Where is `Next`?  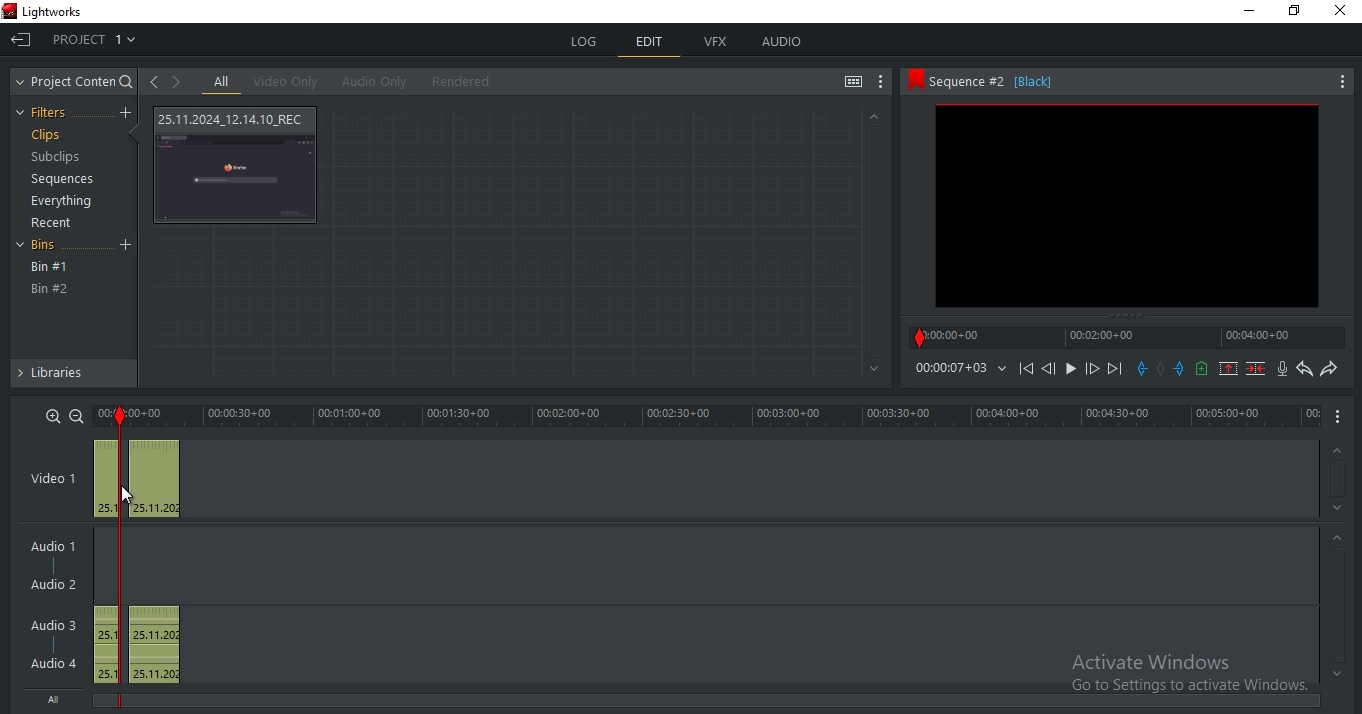
Next is located at coordinates (1117, 368).